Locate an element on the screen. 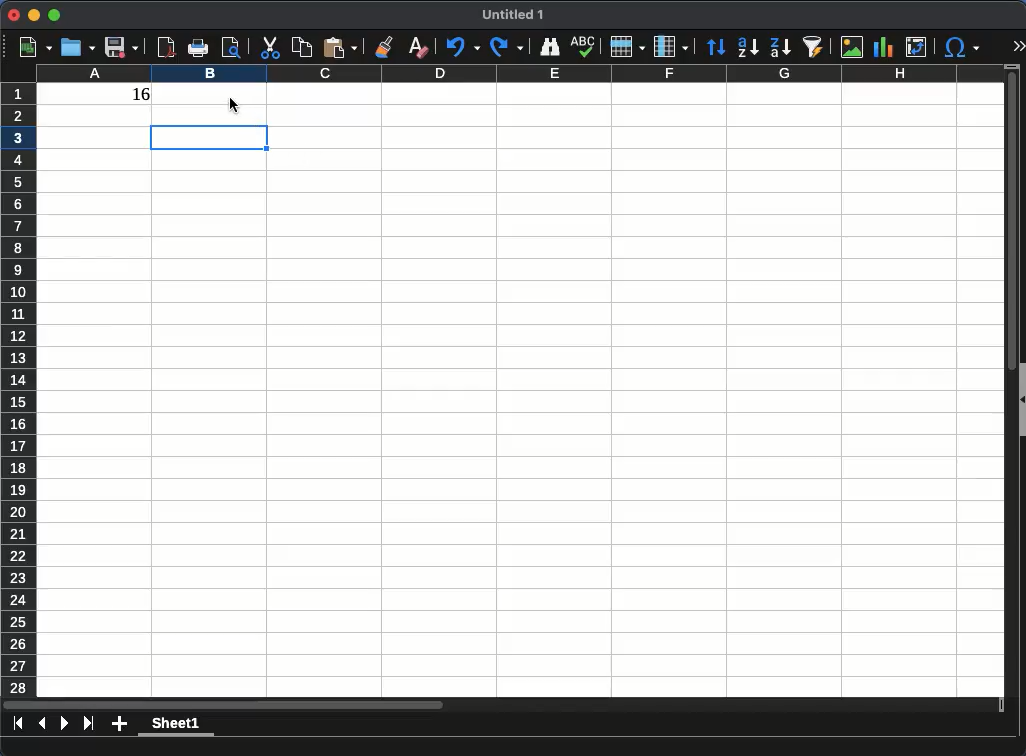  sheet1 is located at coordinates (177, 727).